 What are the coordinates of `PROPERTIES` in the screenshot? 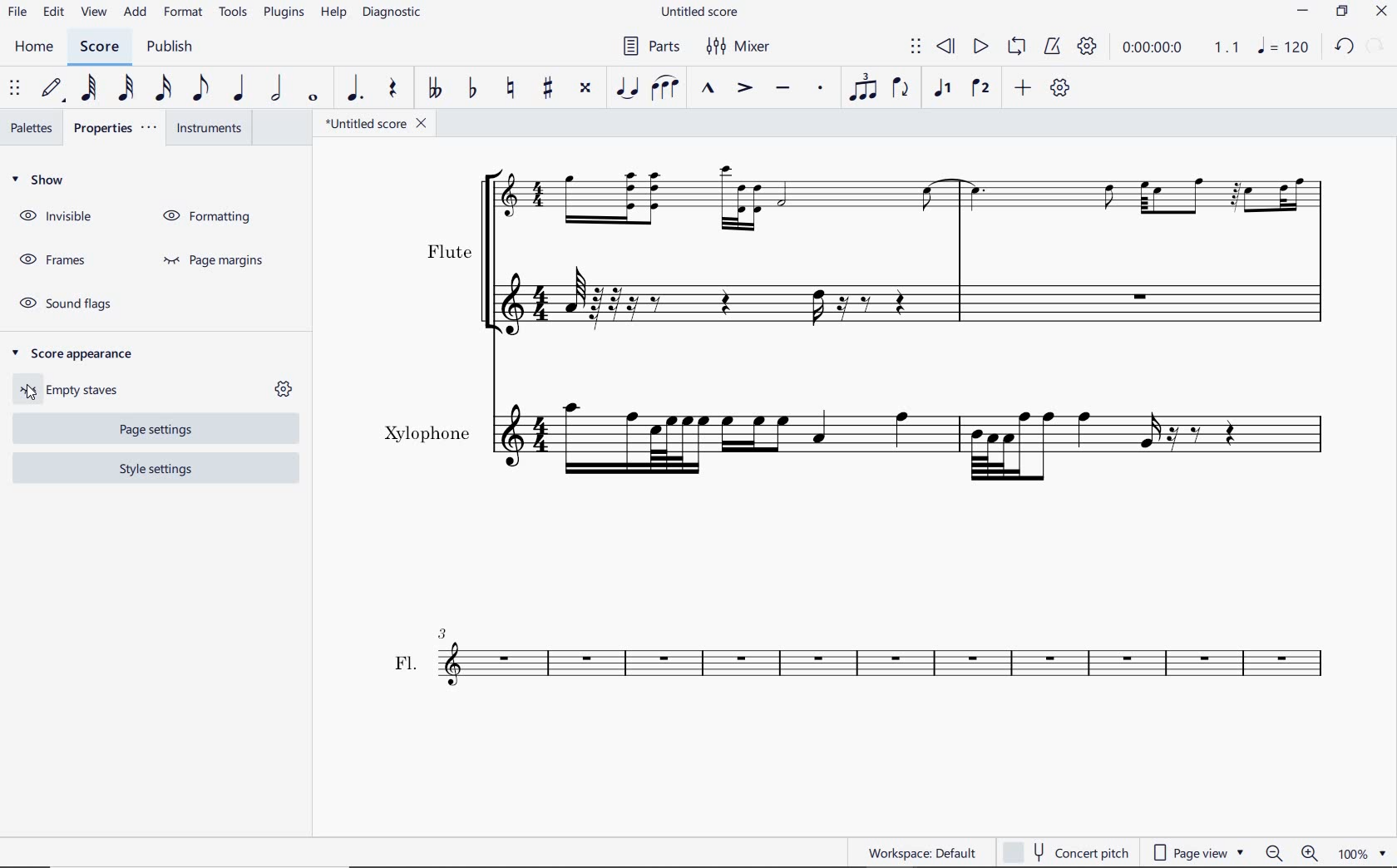 It's located at (114, 130).